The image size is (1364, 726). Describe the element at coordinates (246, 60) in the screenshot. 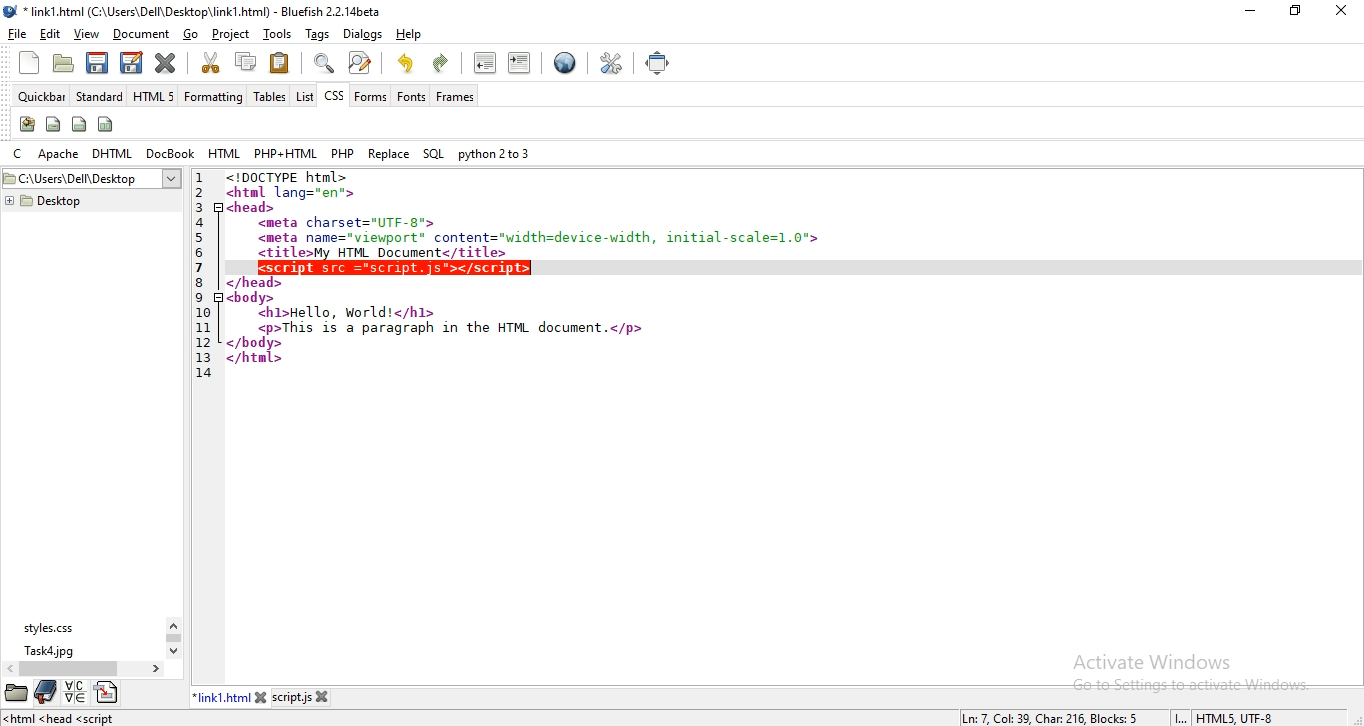

I see `copy` at that location.